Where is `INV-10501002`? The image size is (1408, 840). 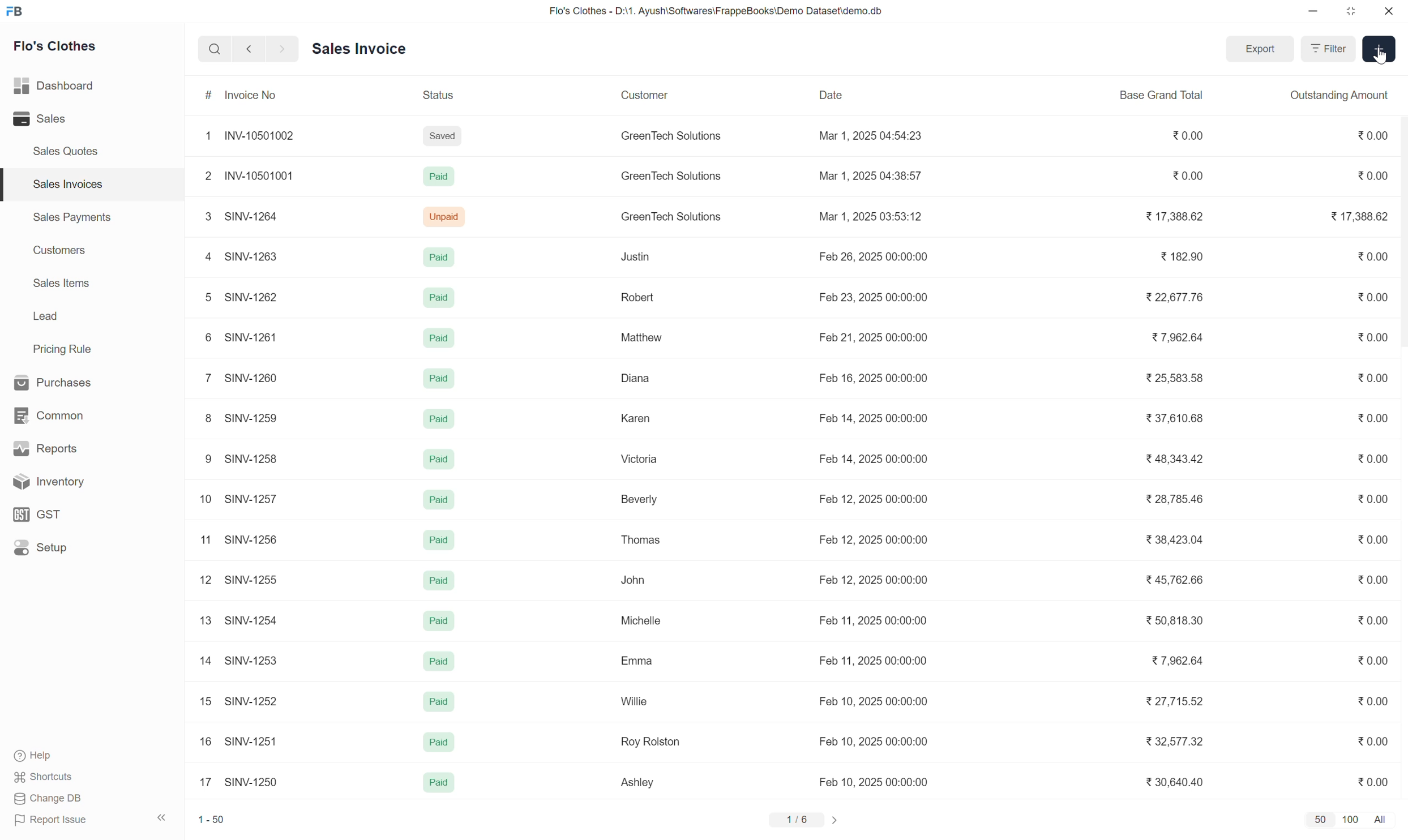
INV-10501002 is located at coordinates (267, 137).